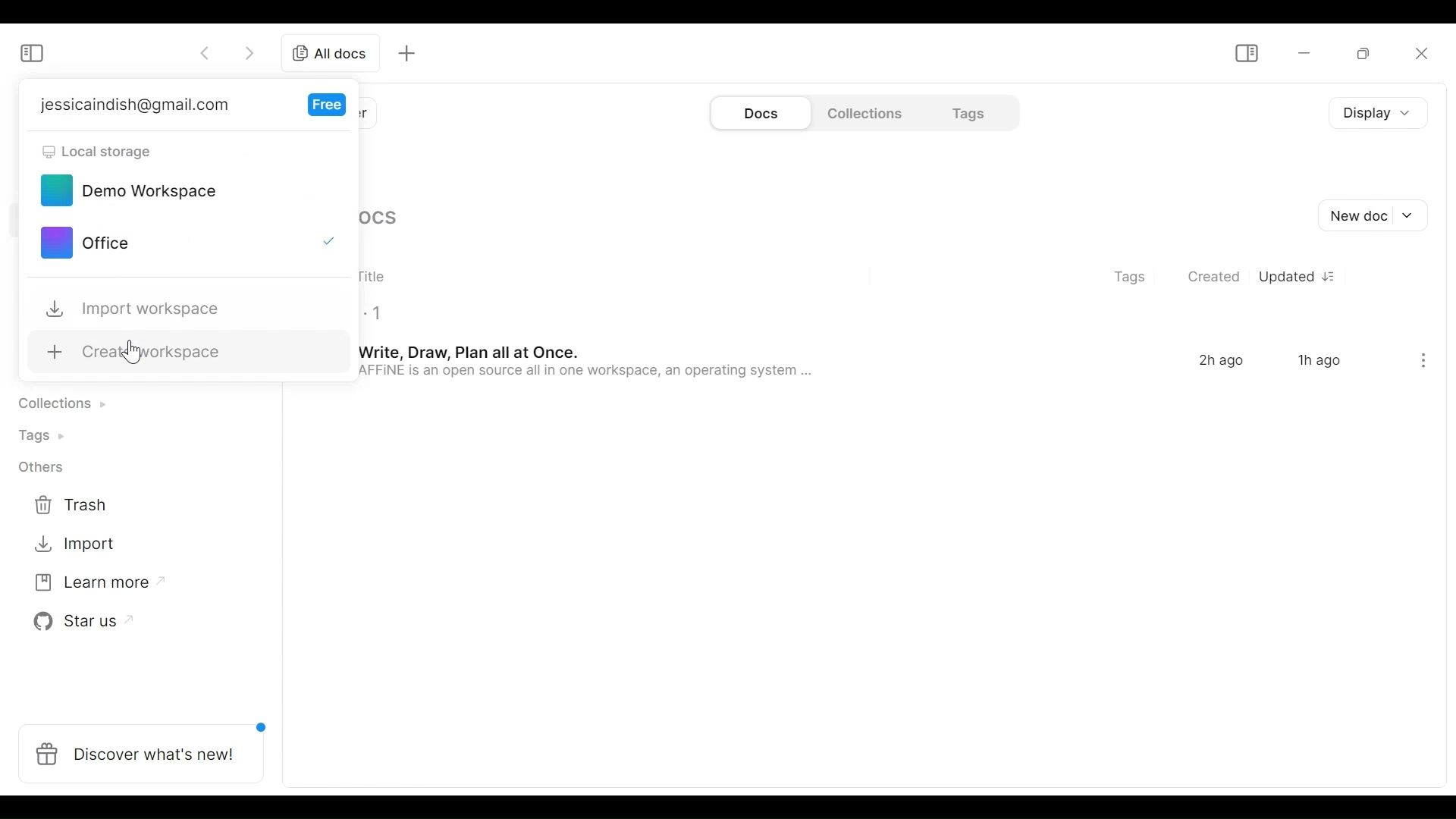  I want to click on Tags, so click(1130, 276).